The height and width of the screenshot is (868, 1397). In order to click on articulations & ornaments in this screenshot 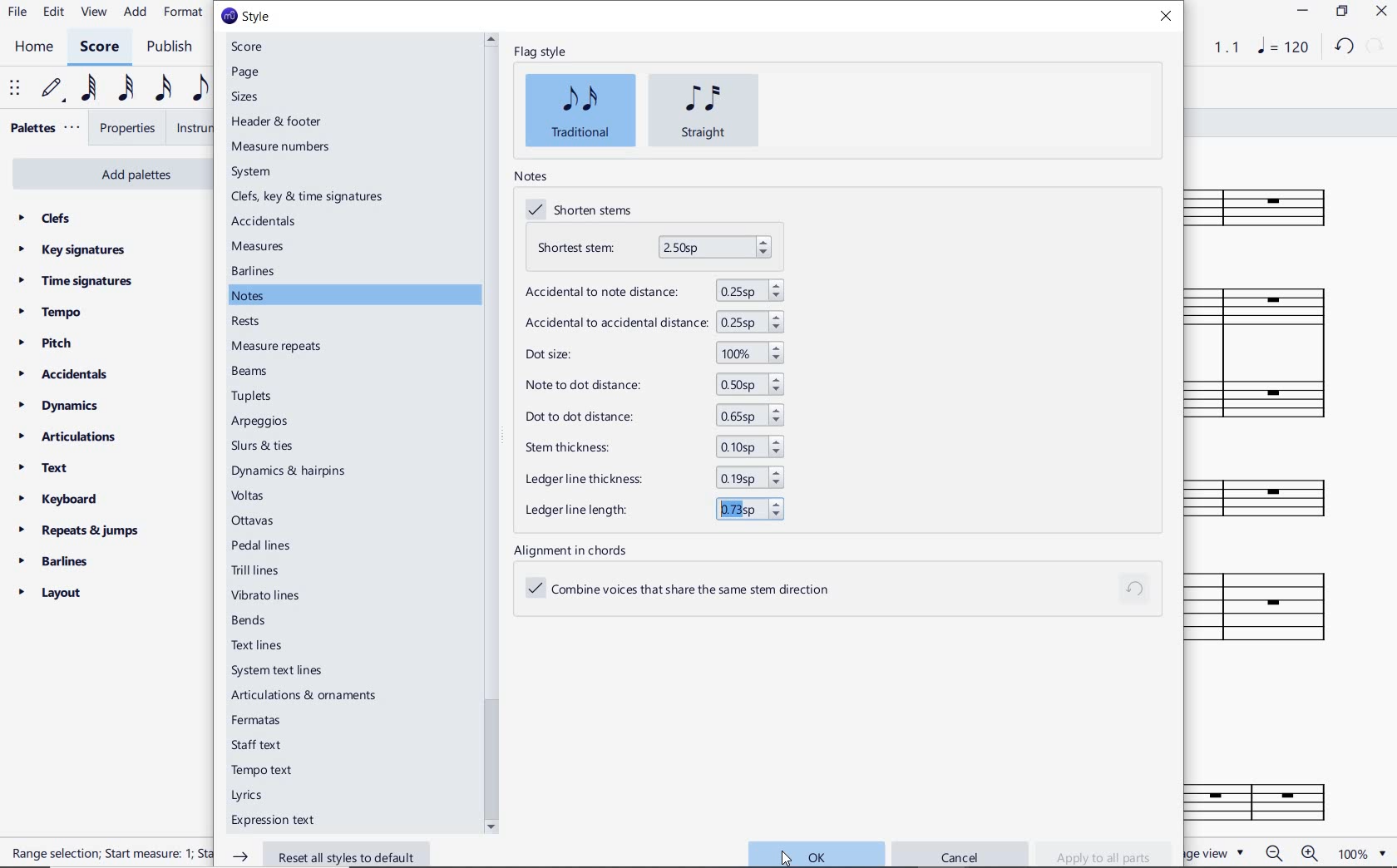, I will do `click(304, 693)`.